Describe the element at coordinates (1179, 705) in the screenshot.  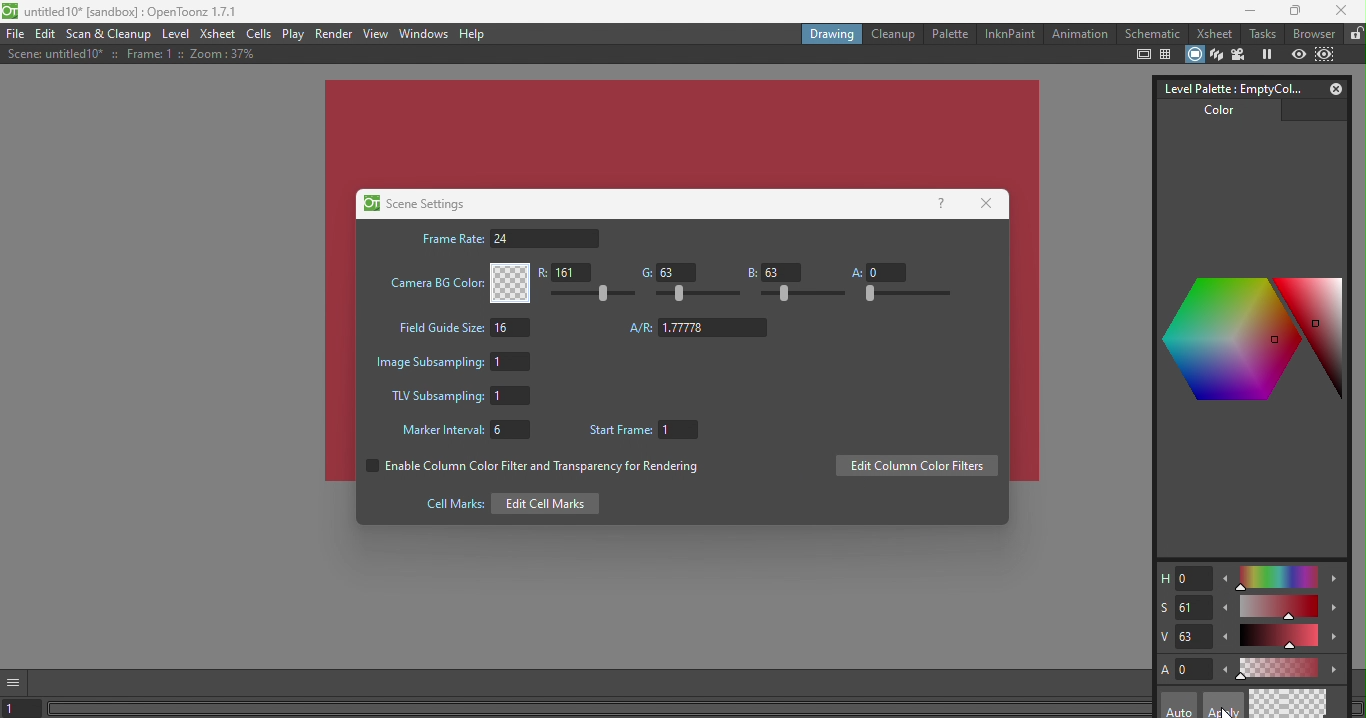
I see `Auto` at that location.